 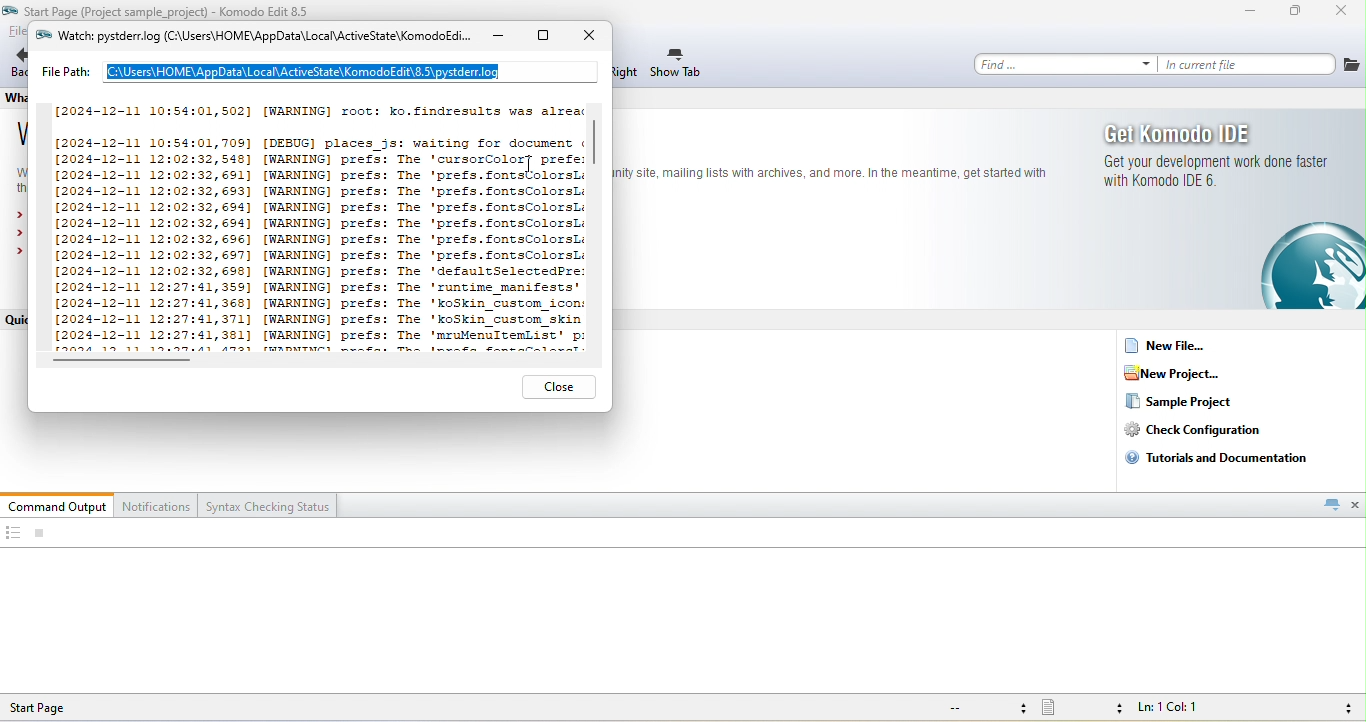 I want to click on get your development with done faster with komodo ide 6, so click(x=1212, y=172).